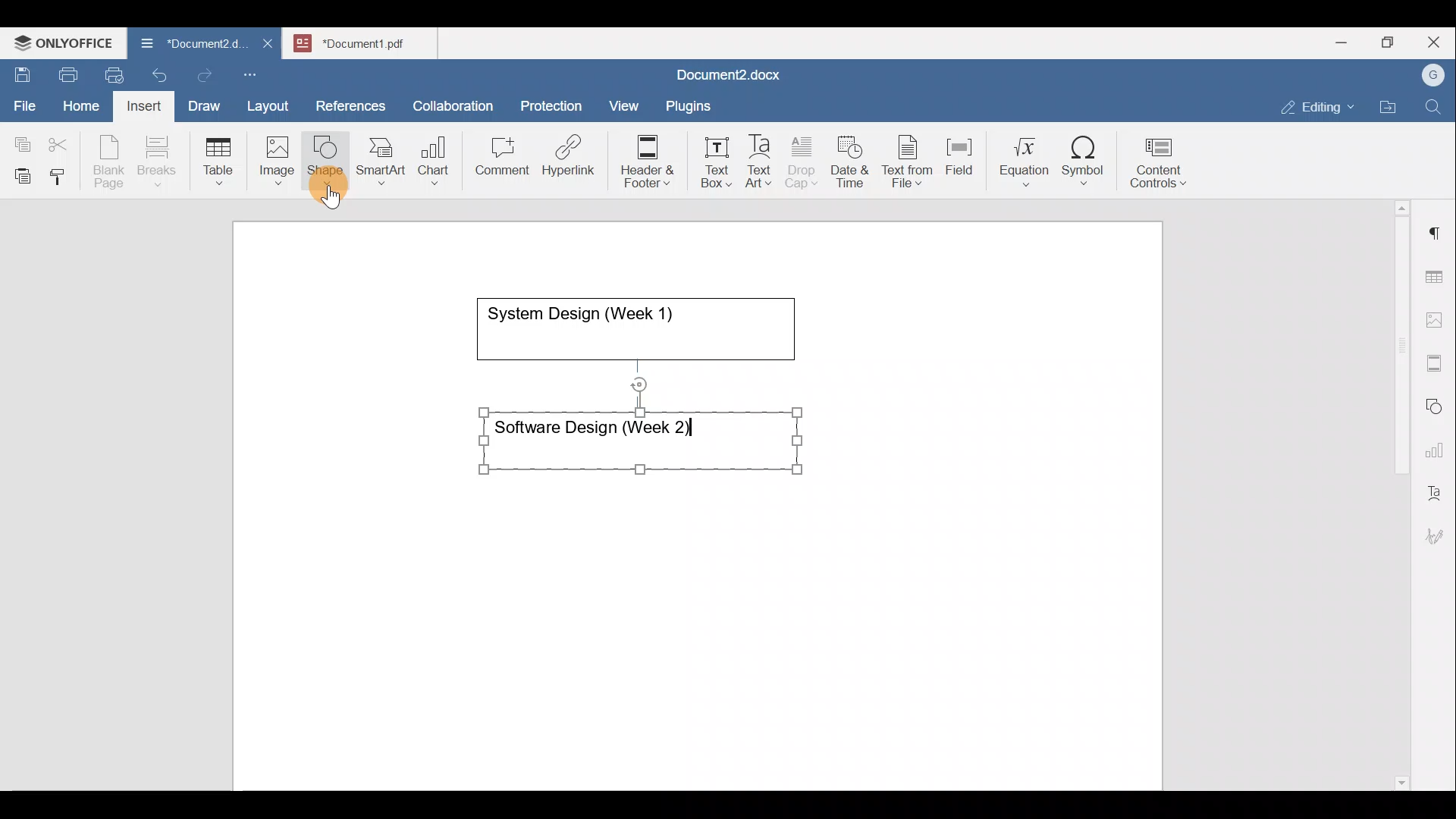 This screenshot has height=819, width=1456. Describe the element at coordinates (204, 76) in the screenshot. I see `Redo` at that location.